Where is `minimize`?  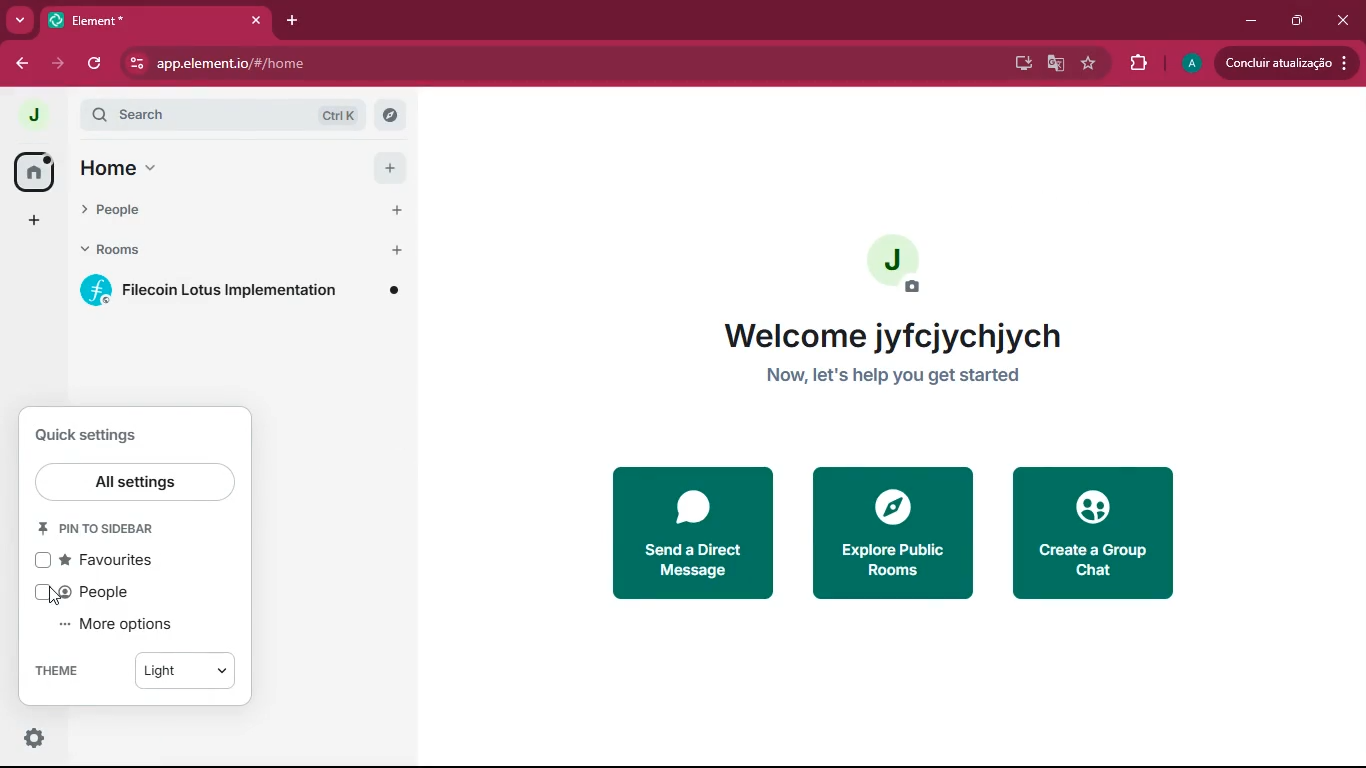
minimize is located at coordinates (1254, 21).